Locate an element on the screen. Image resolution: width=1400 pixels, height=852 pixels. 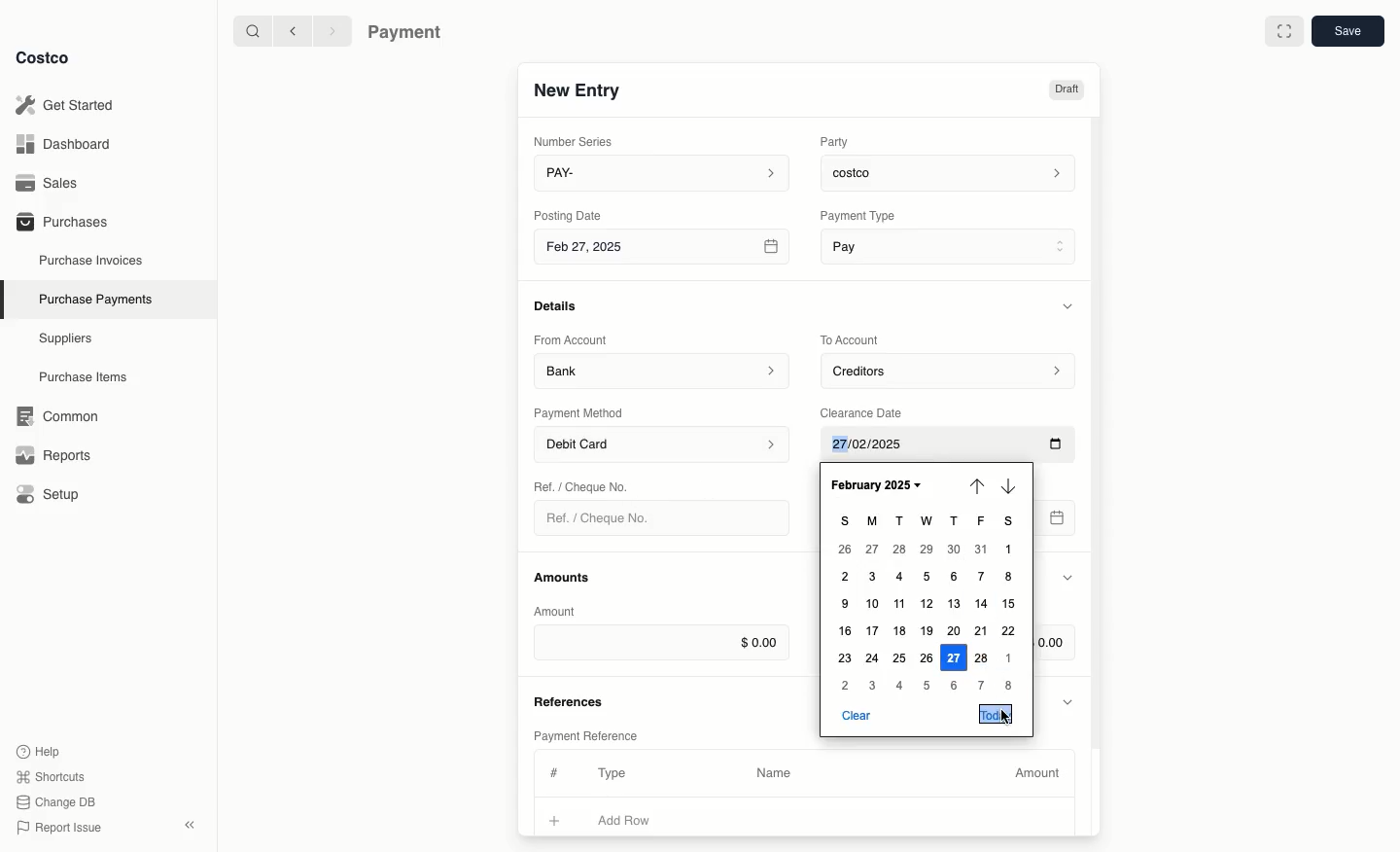
Report Issue is located at coordinates (59, 829).